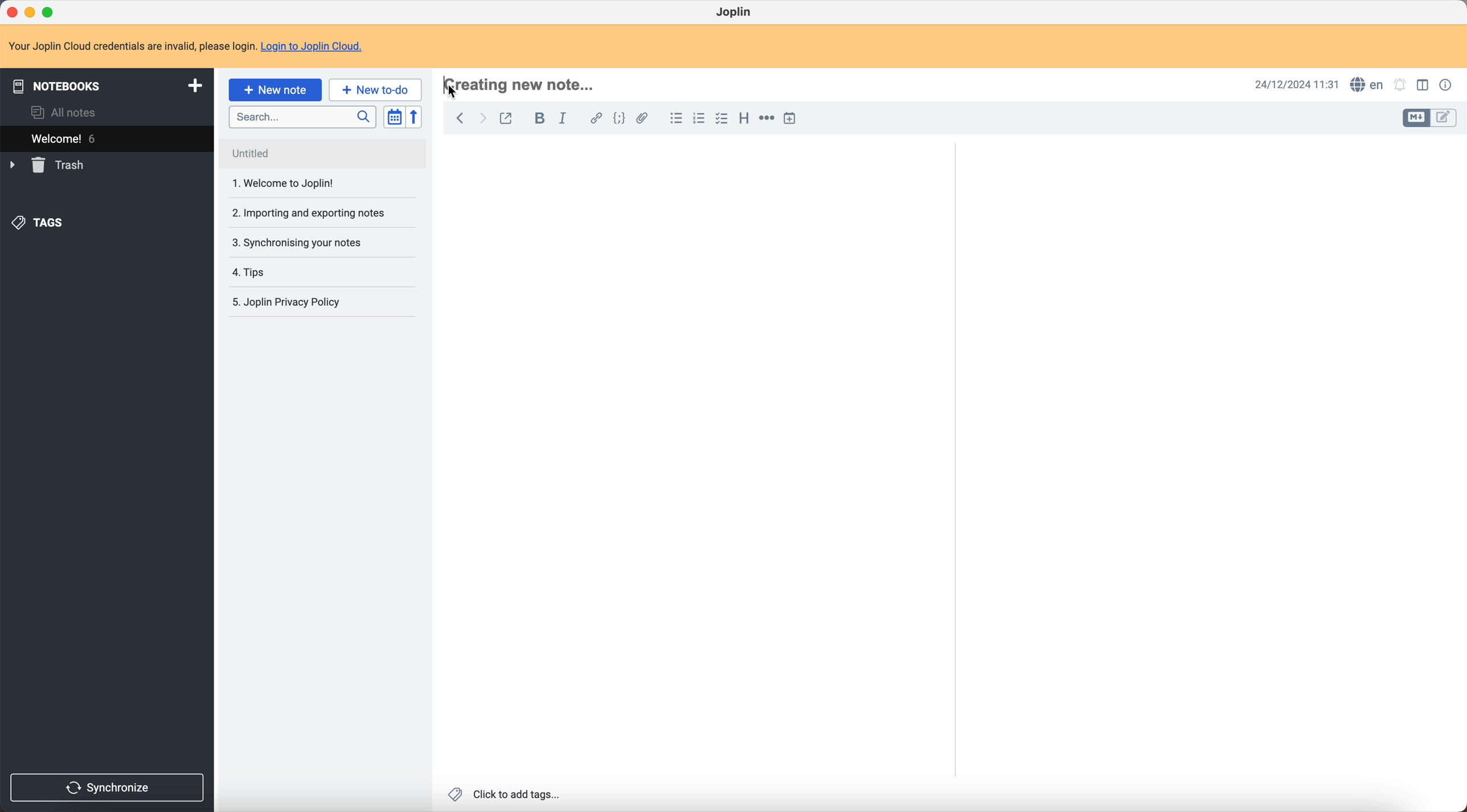 The width and height of the screenshot is (1467, 812). What do you see at coordinates (312, 214) in the screenshot?
I see `2. Importing and exporting notes` at bounding box center [312, 214].